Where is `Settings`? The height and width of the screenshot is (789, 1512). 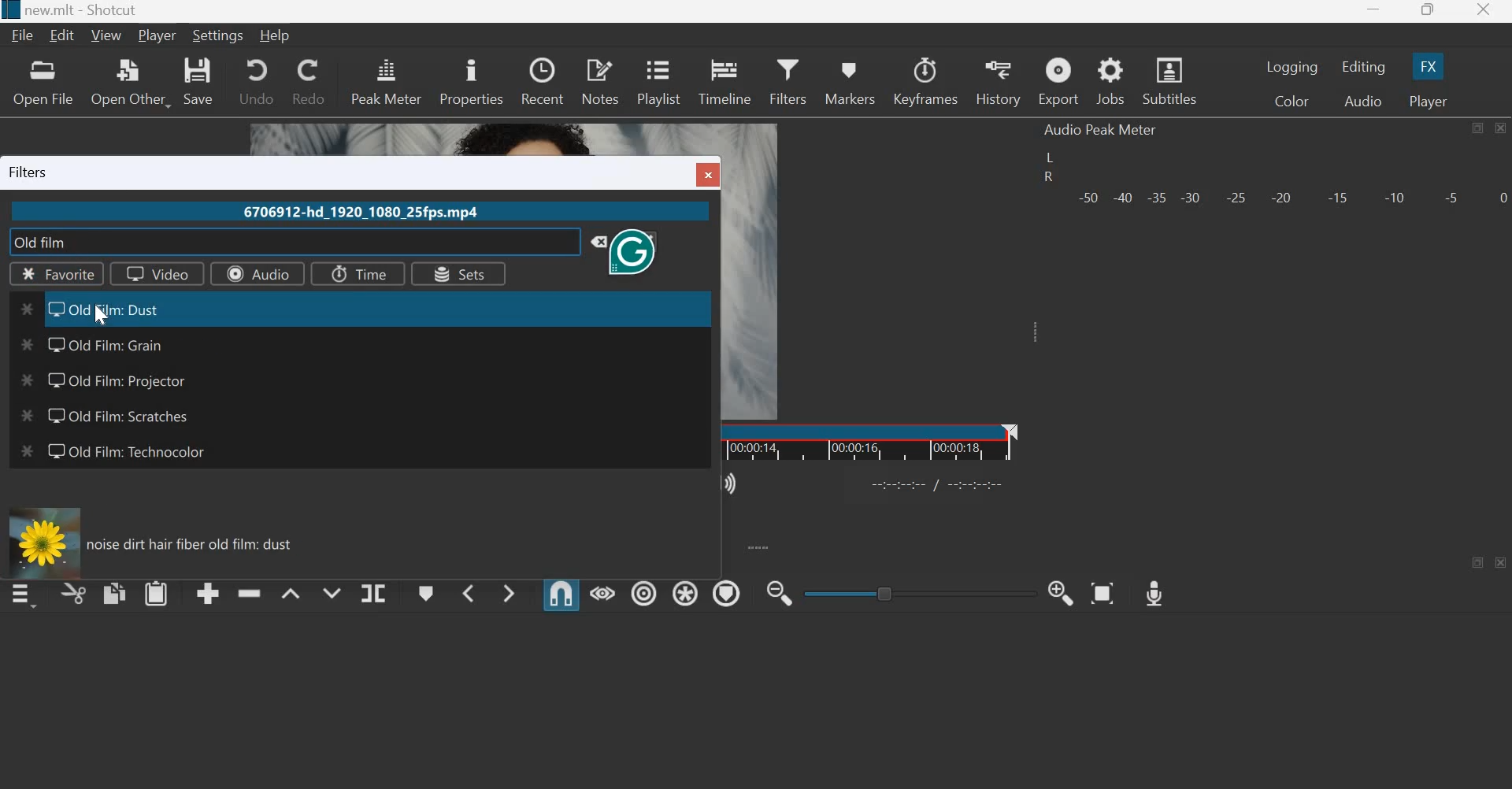
Settings is located at coordinates (219, 35).